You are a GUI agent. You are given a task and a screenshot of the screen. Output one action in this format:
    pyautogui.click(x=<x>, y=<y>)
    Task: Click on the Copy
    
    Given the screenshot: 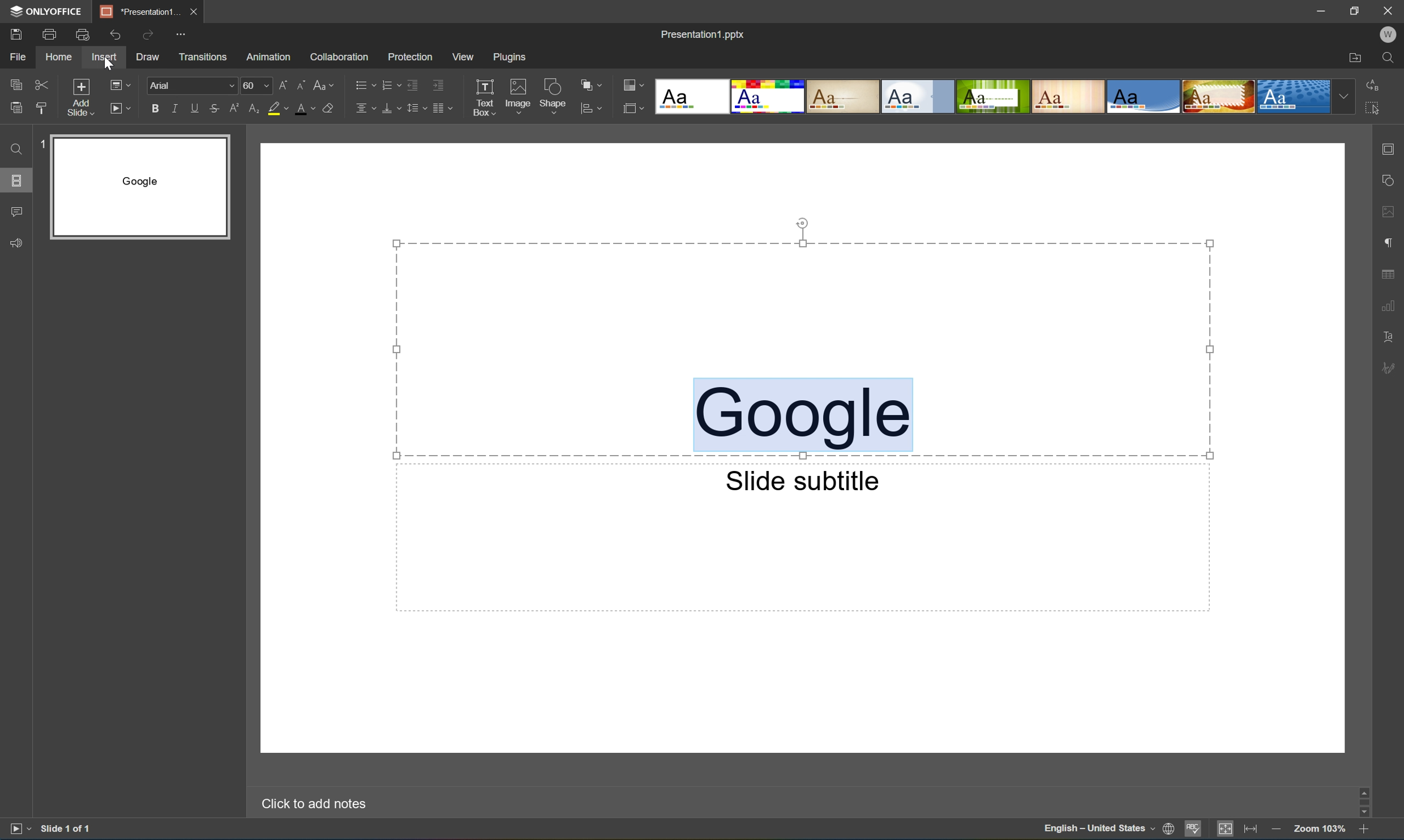 What is the action you would take?
    pyautogui.click(x=15, y=83)
    